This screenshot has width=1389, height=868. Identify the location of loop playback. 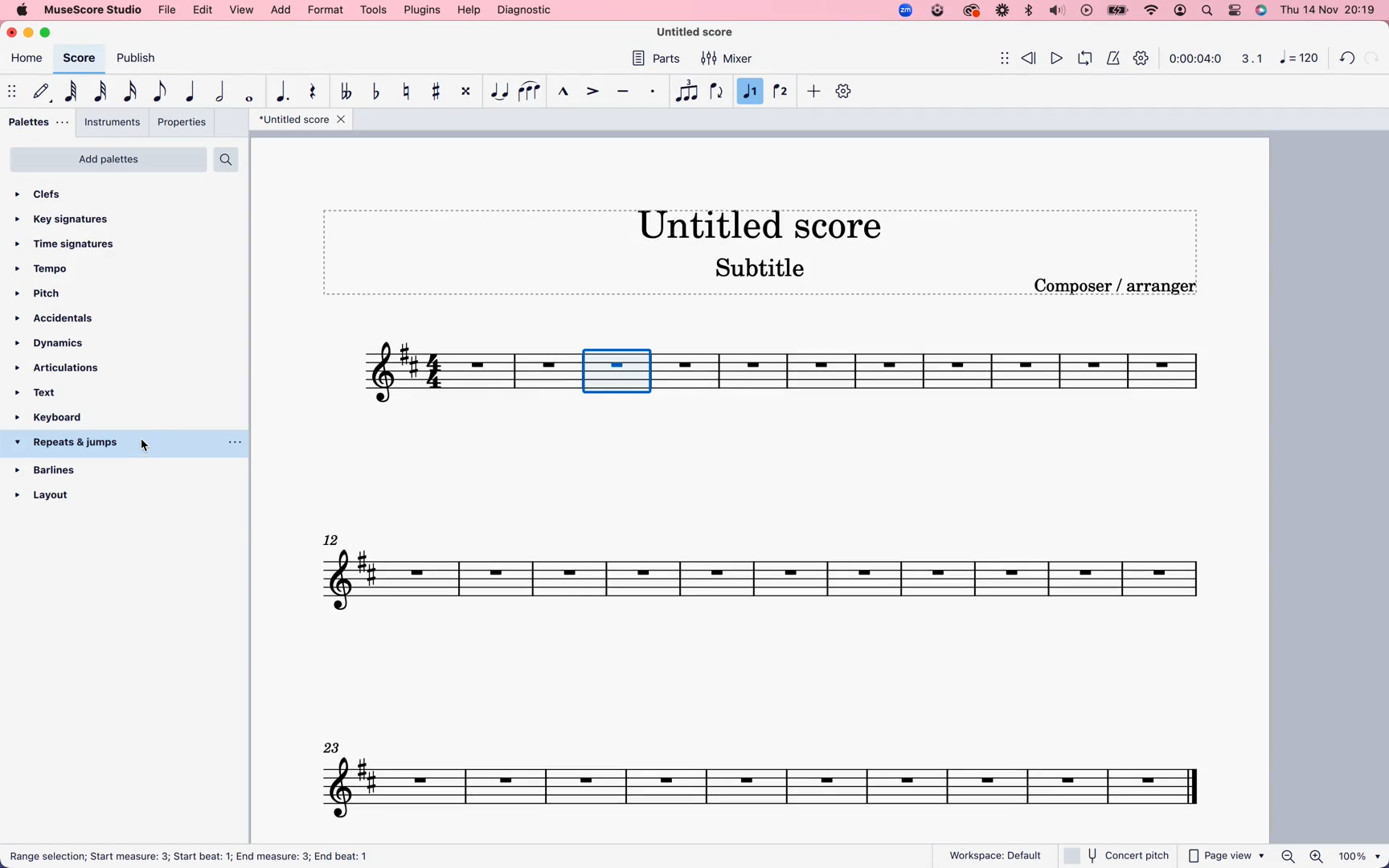
(1084, 56).